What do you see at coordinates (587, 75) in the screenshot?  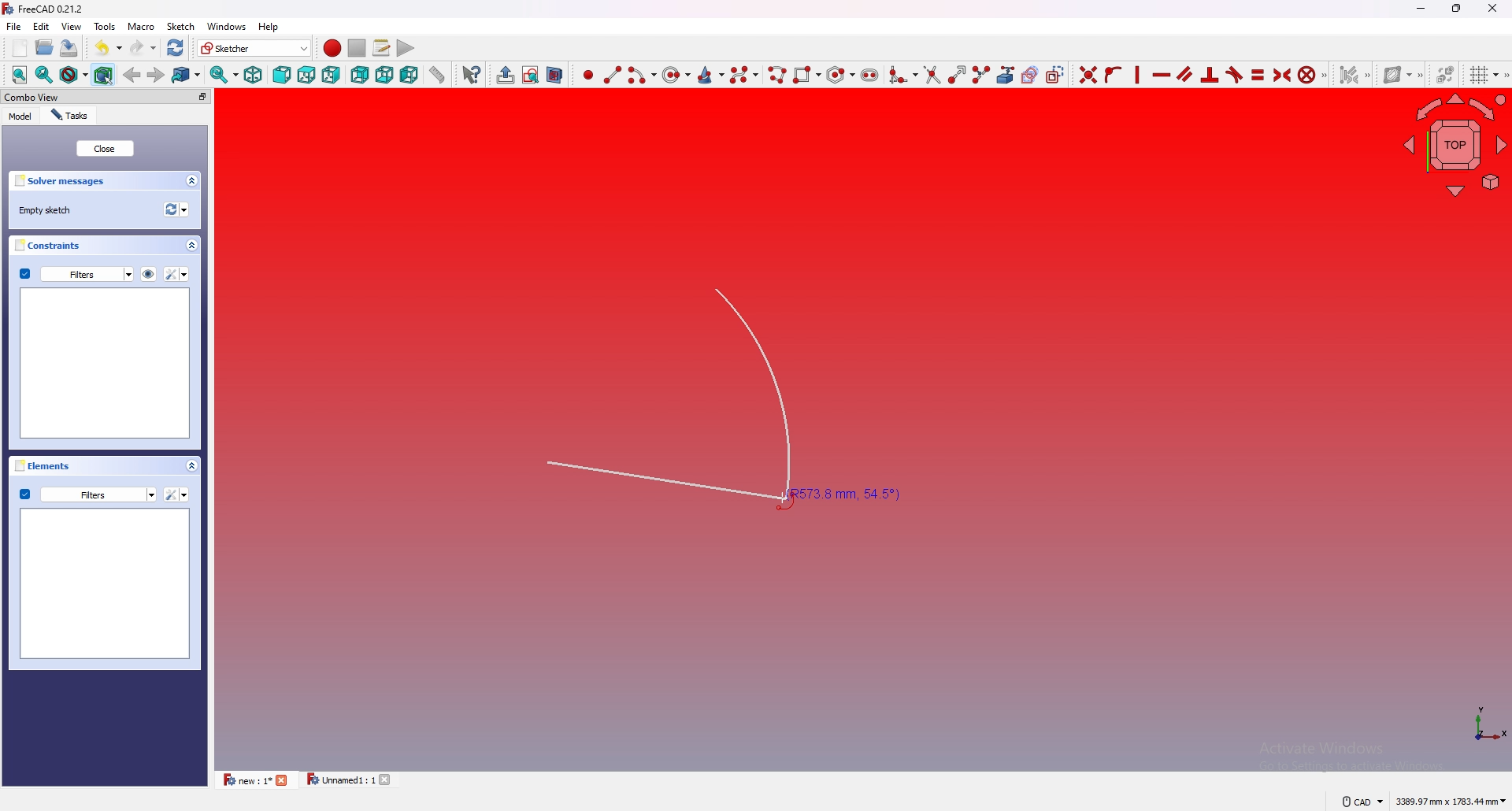 I see `create point` at bounding box center [587, 75].